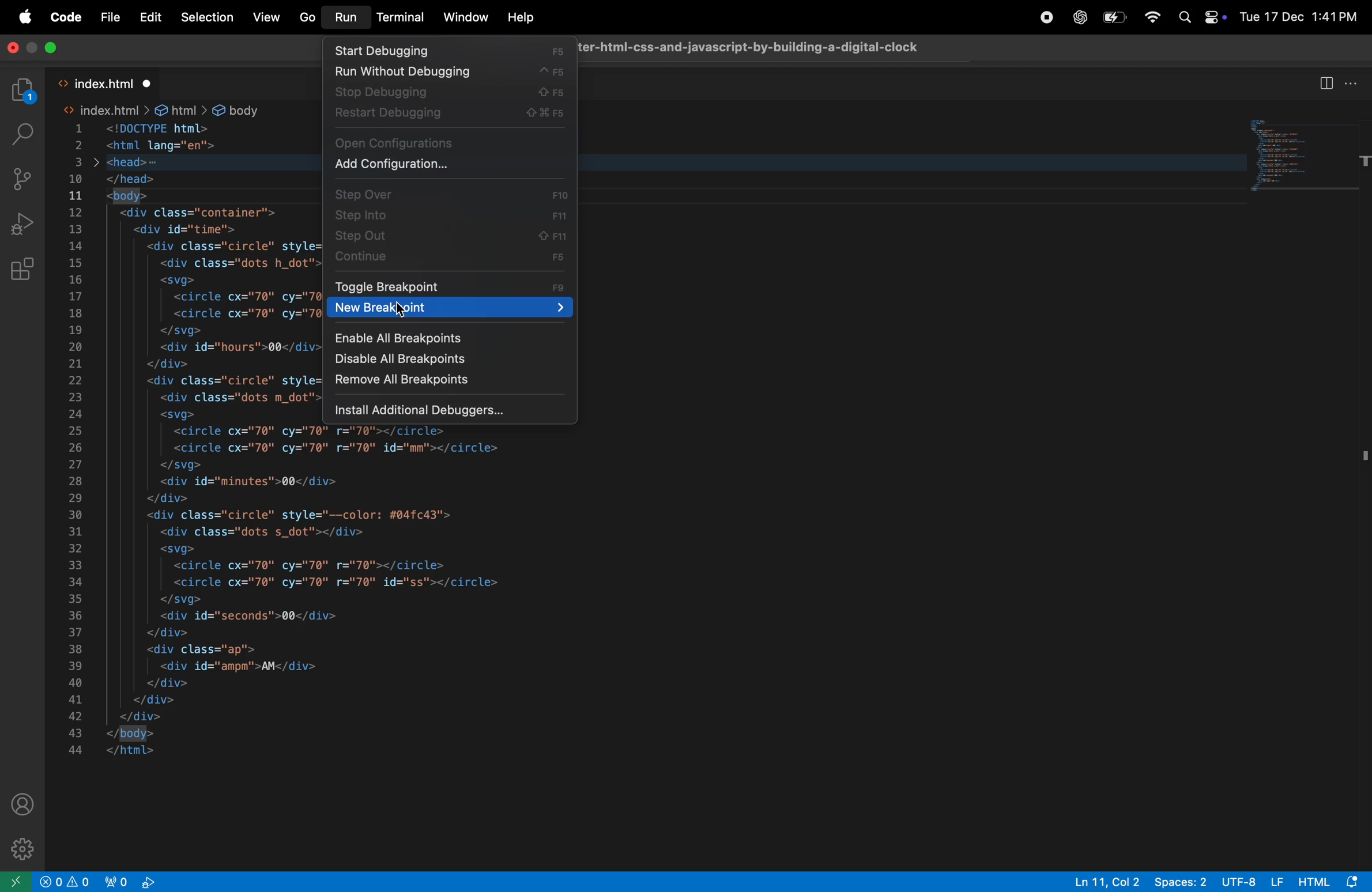 Image resolution: width=1372 pixels, height=892 pixels. What do you see at coordinates (452, 164) in the screenshot?
I see `add configuration` at bounding box center [452, 164].